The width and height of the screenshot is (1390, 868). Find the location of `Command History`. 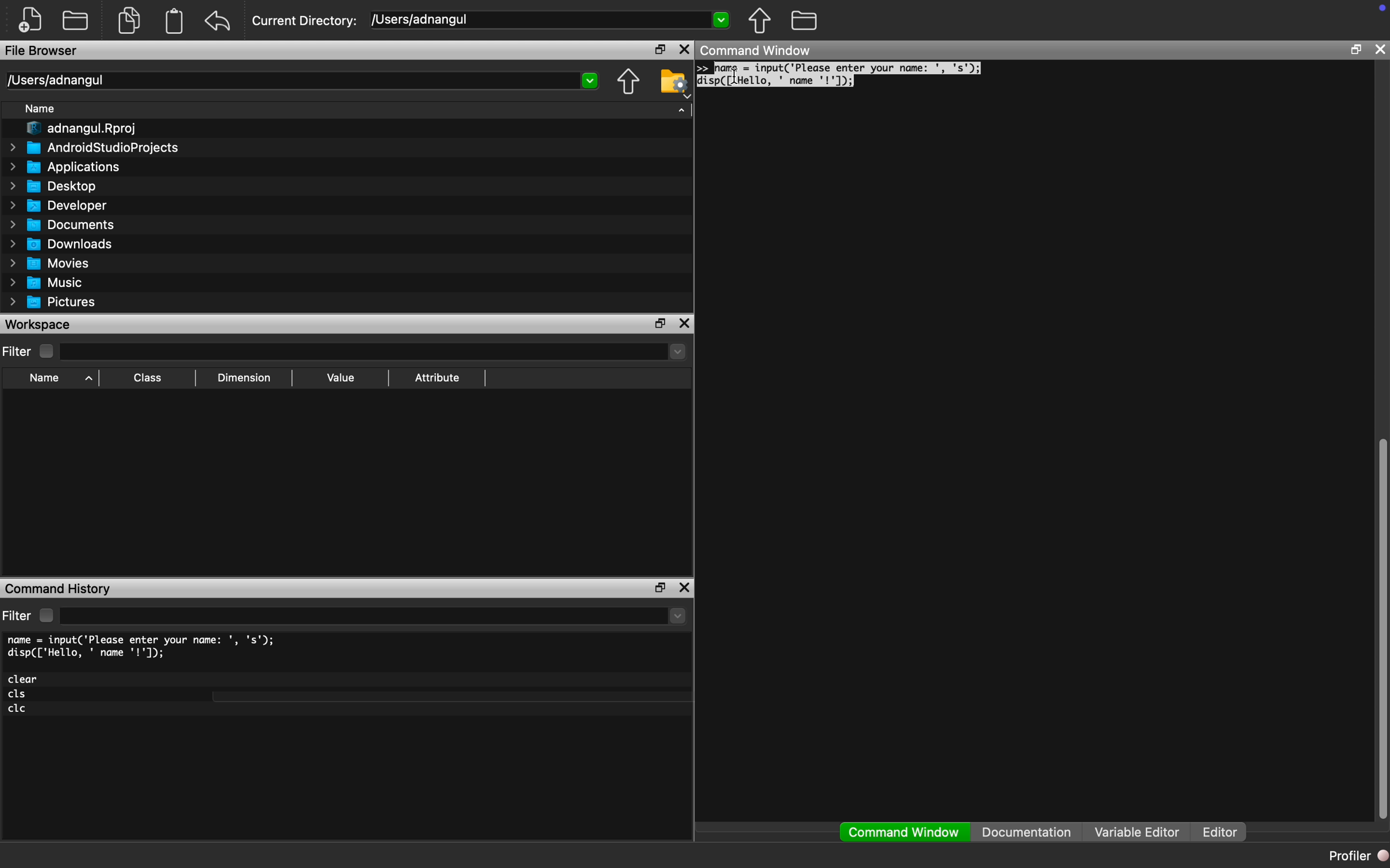

Command History is located at coordinates (58, 590).